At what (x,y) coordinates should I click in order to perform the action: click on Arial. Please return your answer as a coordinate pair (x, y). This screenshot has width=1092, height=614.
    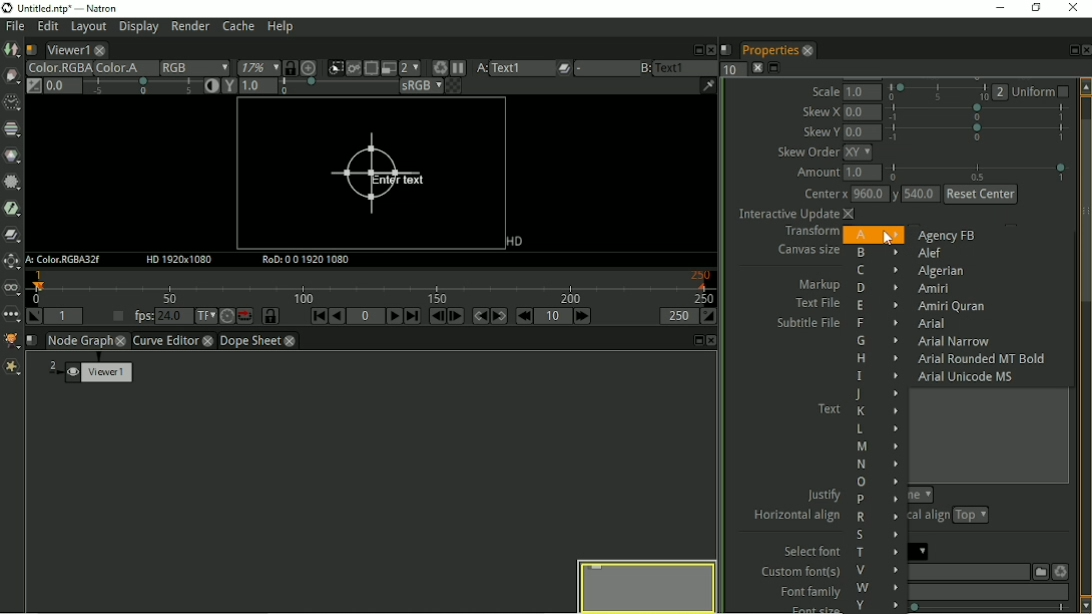
    Looking at the image, I should click on (935, 324).